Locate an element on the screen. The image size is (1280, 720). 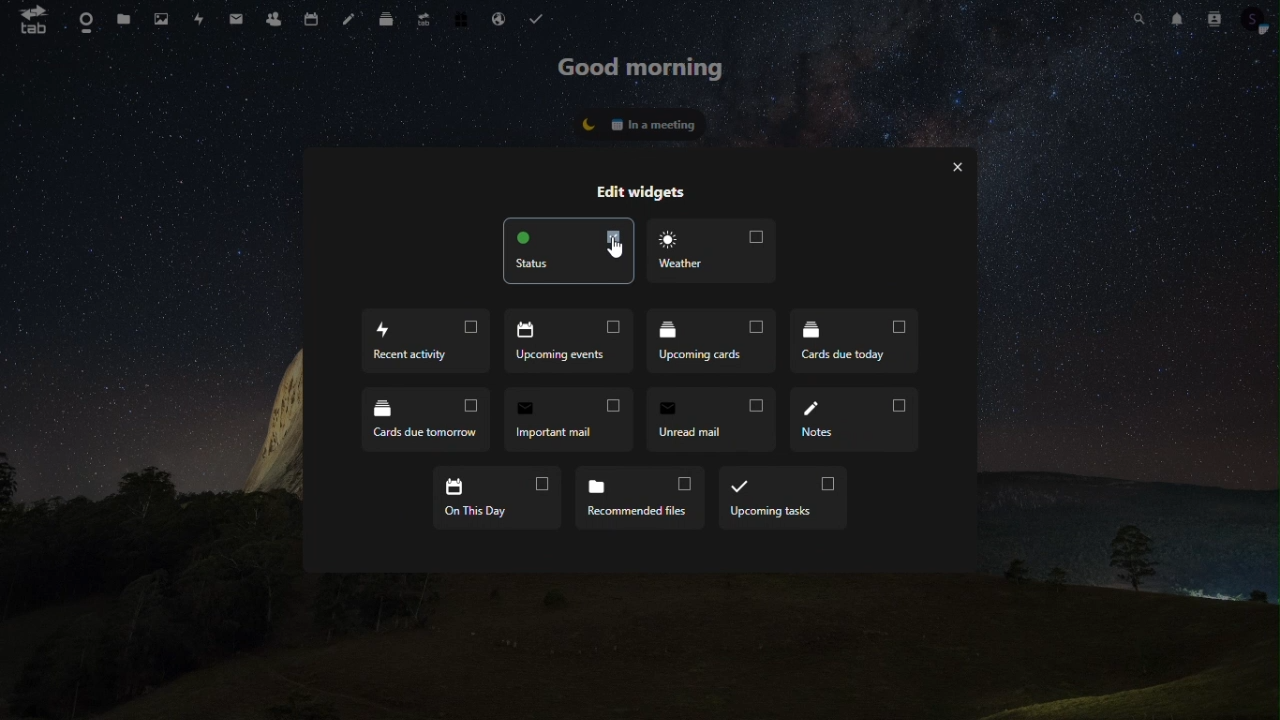
cards due today is located at coordinates (856, 342).